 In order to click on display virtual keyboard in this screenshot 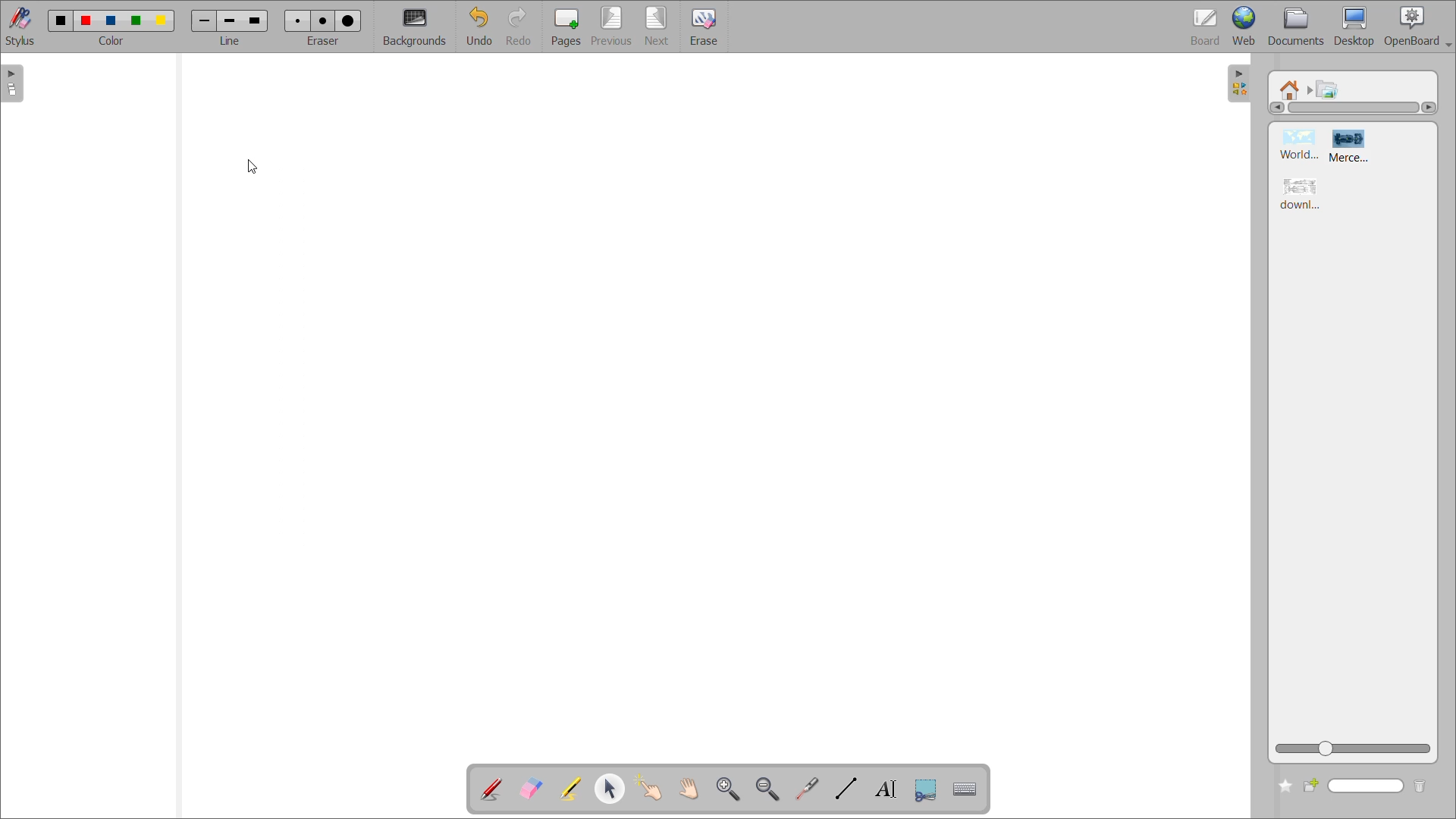, I will do `click(967, 788)`.